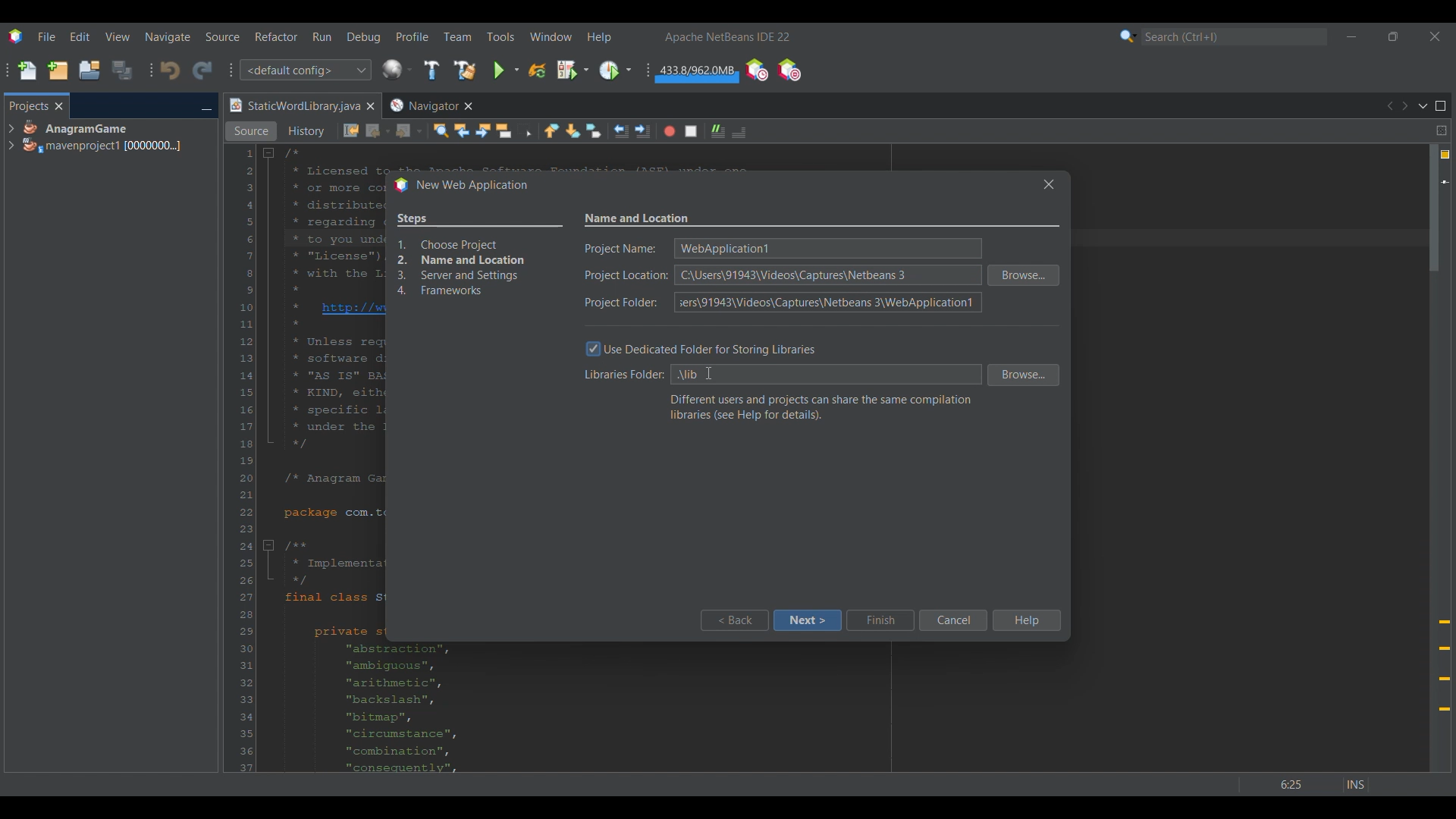 This screenshot has width=1456, height=819. Describe the element at coordinates (364, 37) in the screenshot. I see `Debug menu` at that location.